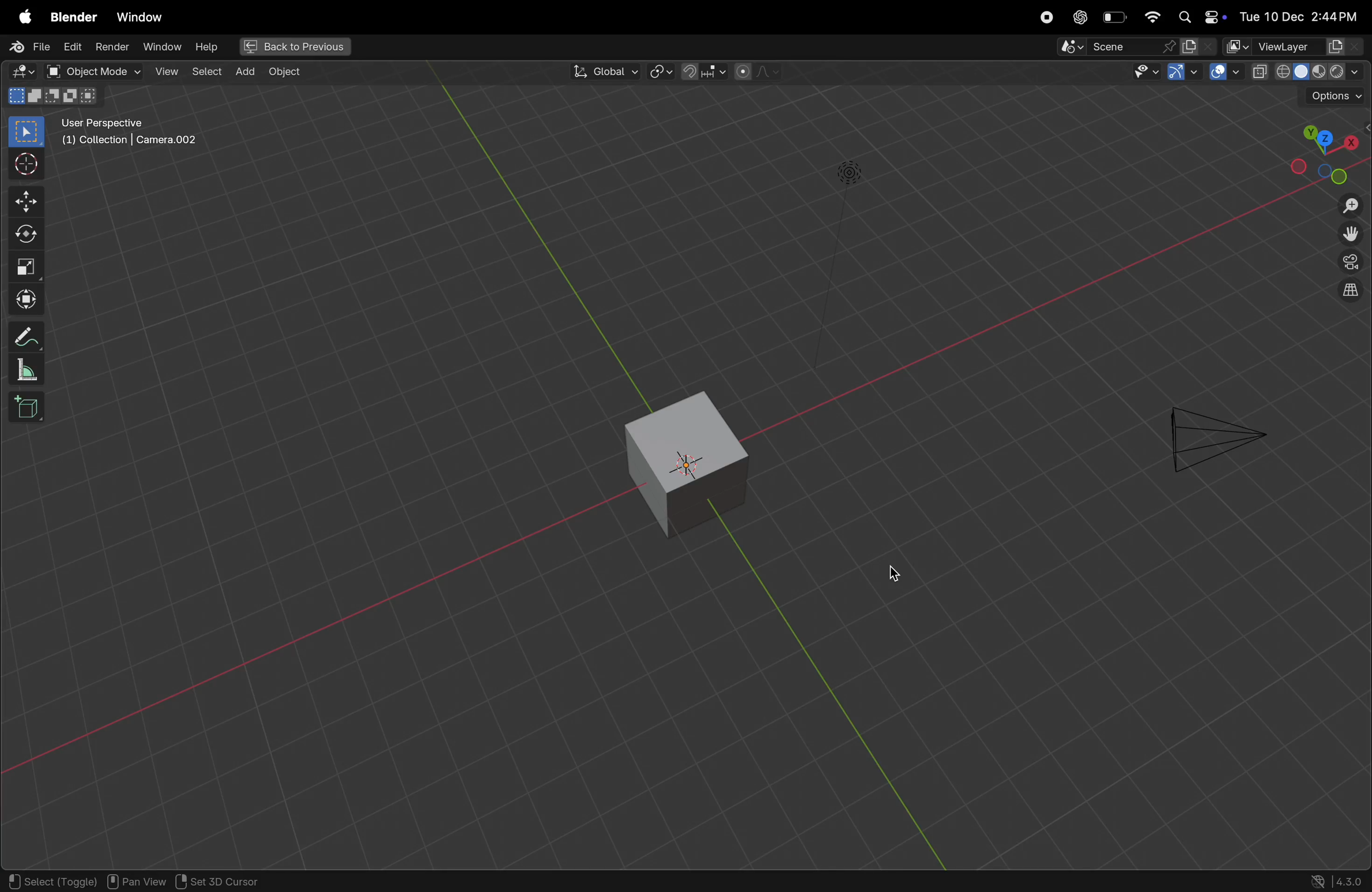 The width and height of the screenshot is (1372, 892). Describe the element at coordinates (24, 296) in the screenshot. I see `move` at that location.